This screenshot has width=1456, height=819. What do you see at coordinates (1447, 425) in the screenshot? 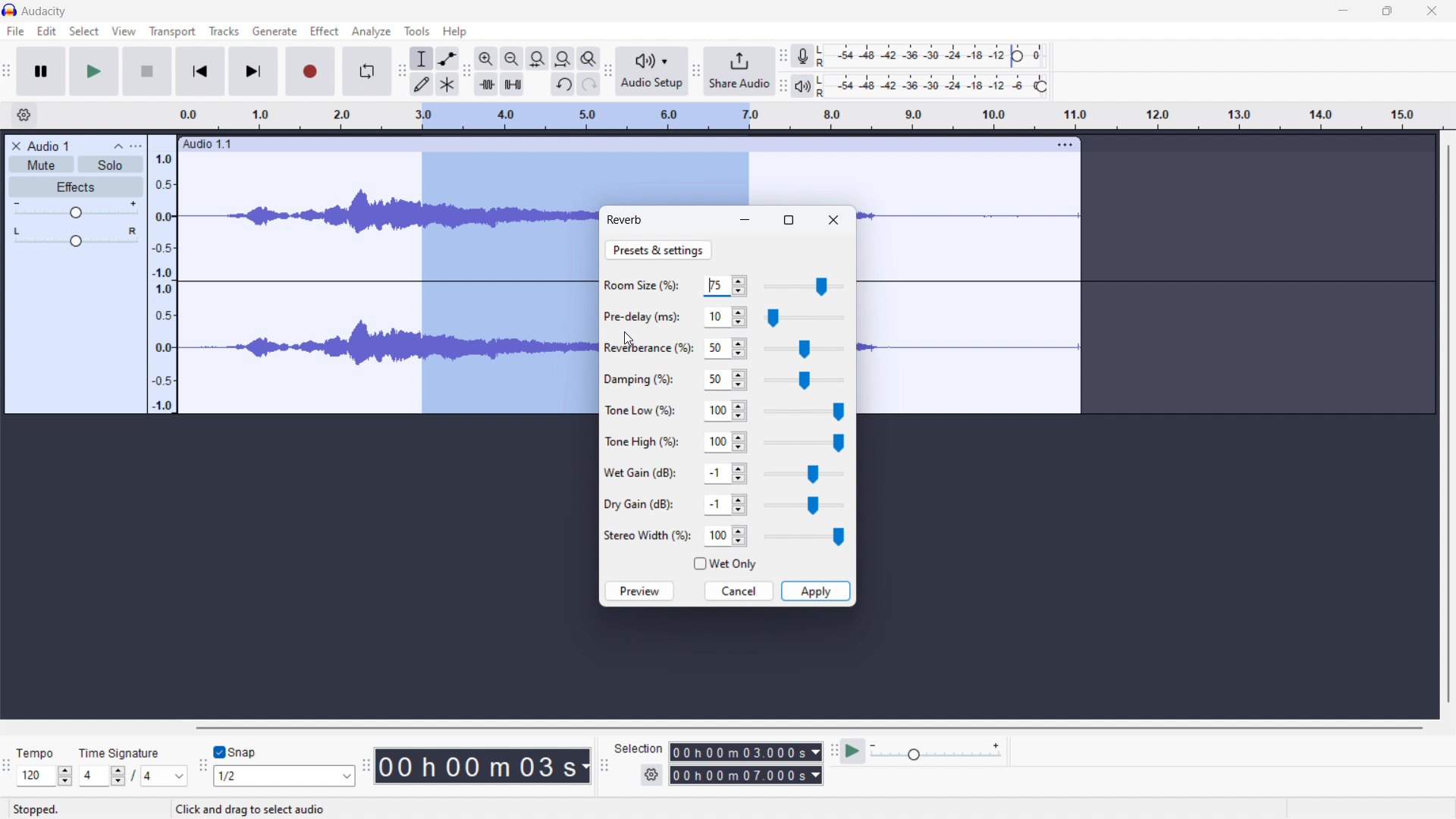
I see `vertical scrollbar` at bounding box center [1447, 425].